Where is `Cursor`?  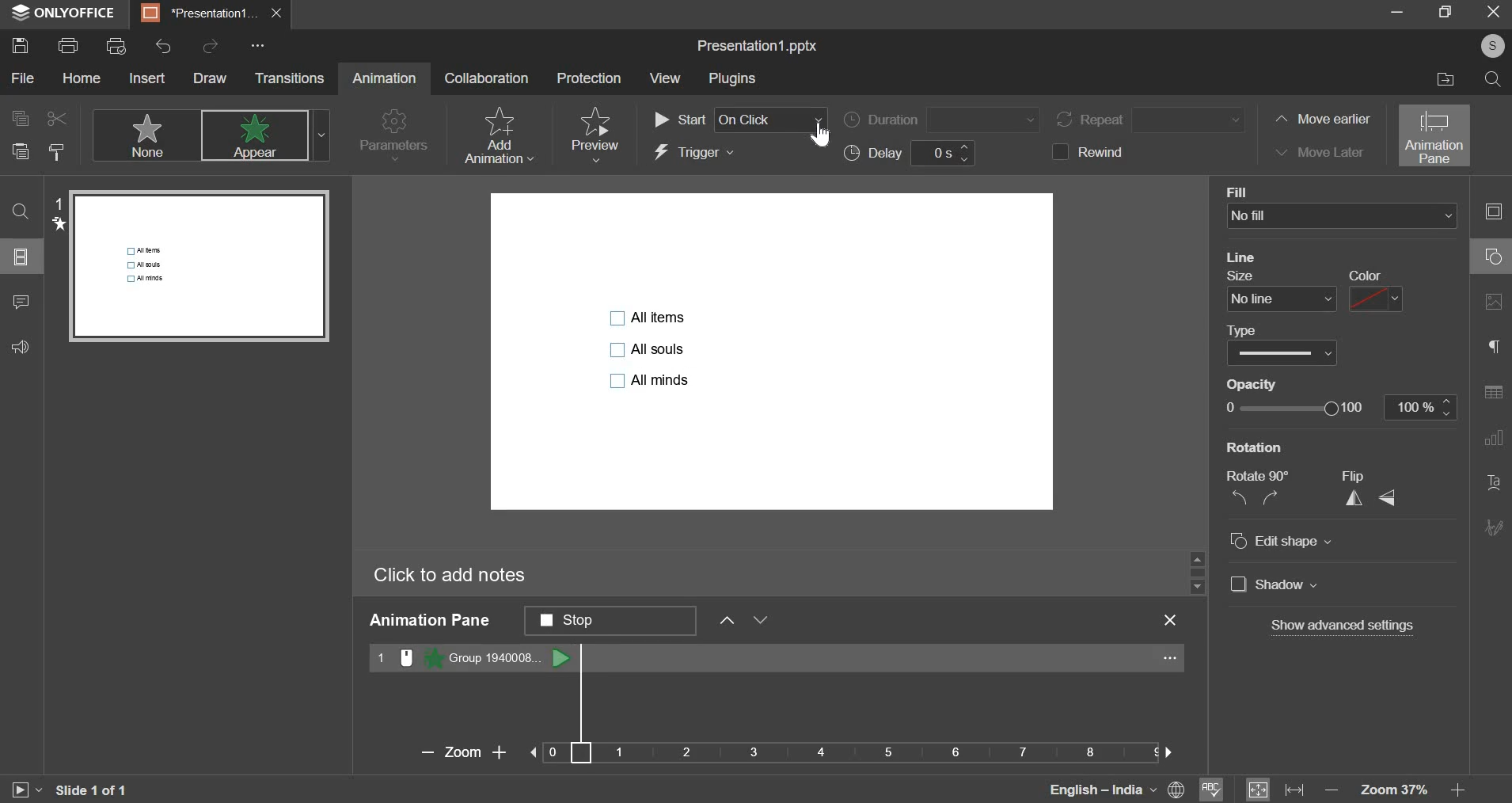
Cursor is located at coordinates (820, 132).